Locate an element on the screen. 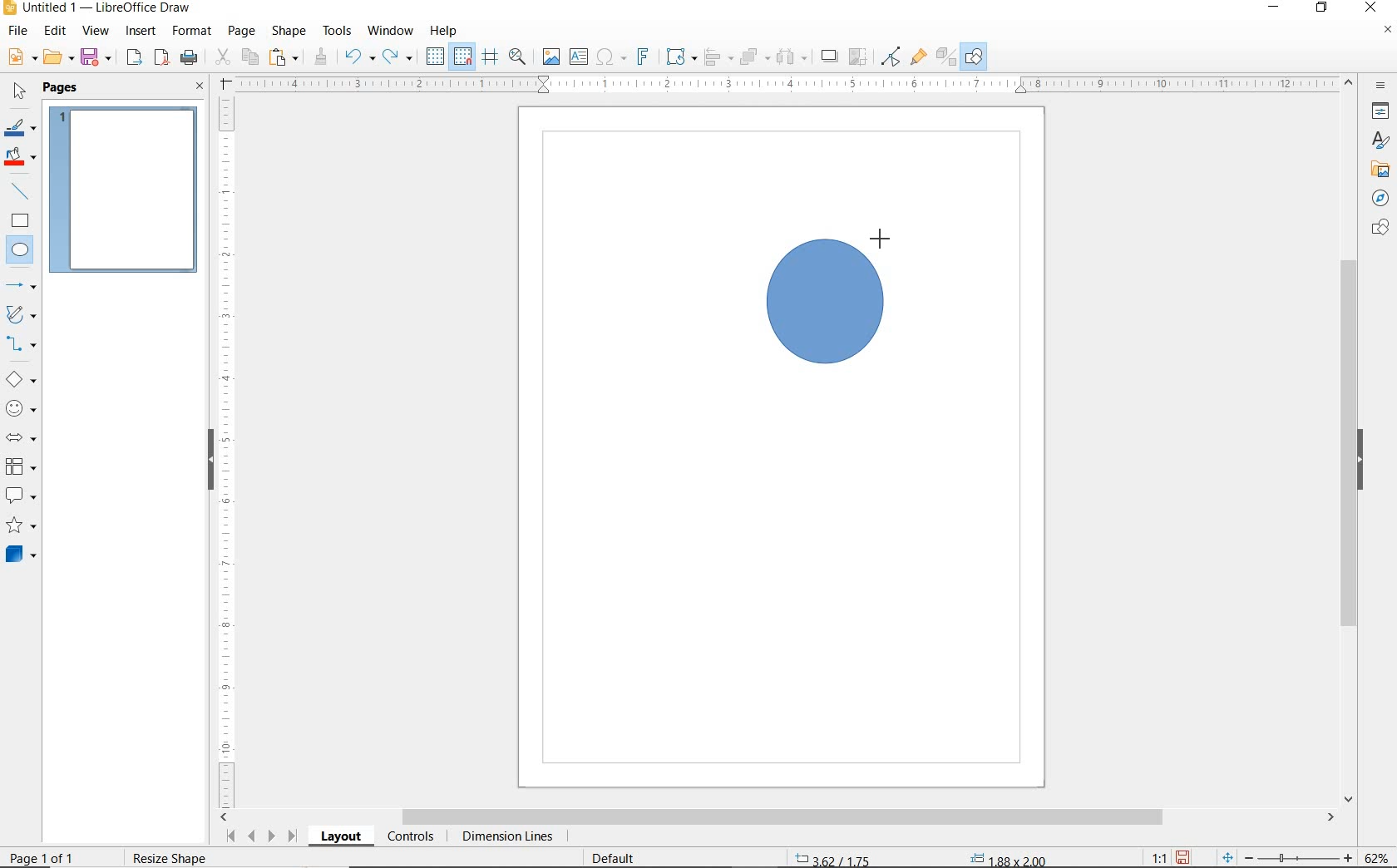 The image size is (1397, 868). INSERT is located at coordinates (143, 32).